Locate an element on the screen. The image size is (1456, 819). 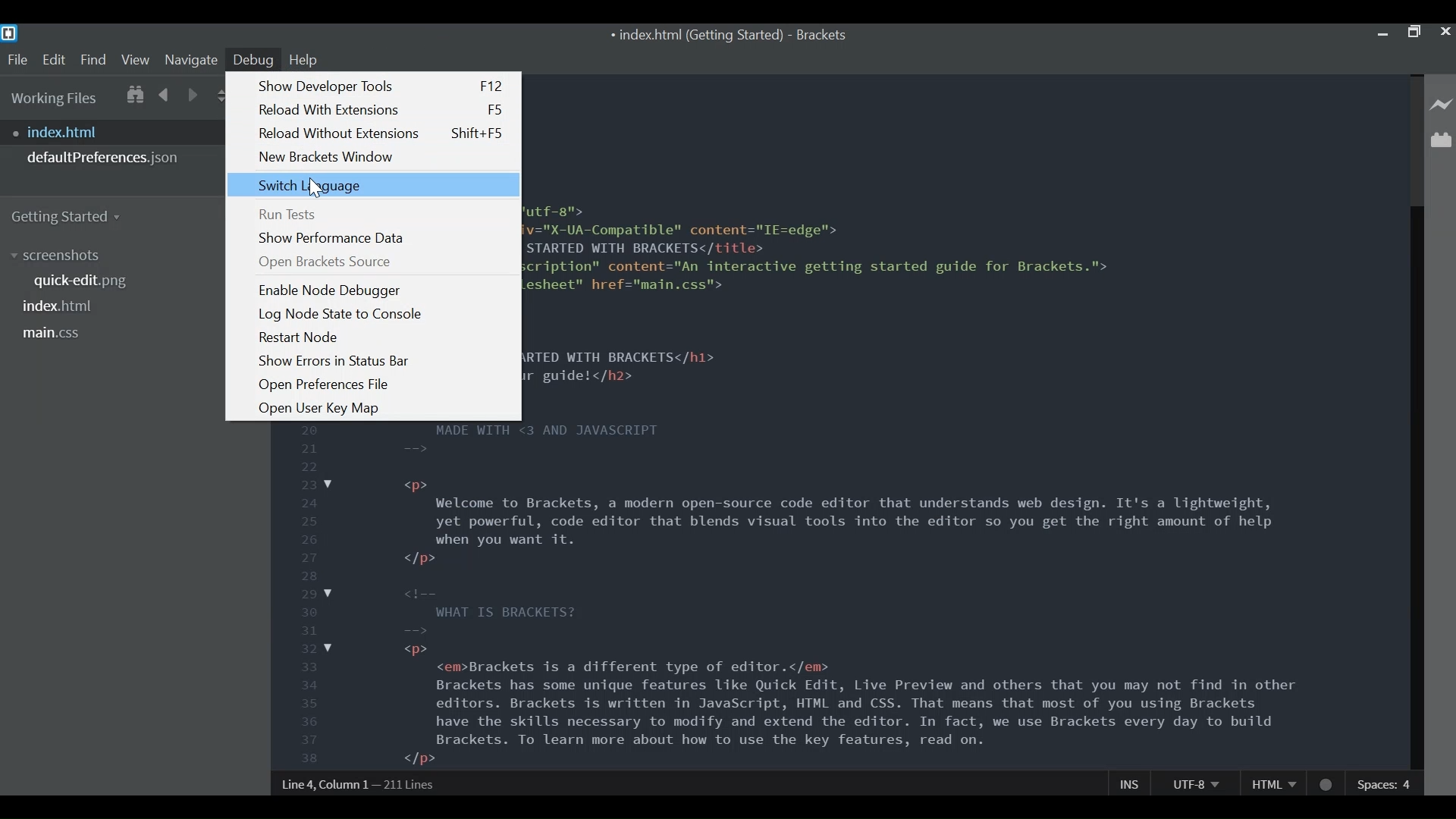
Log Node State to Console is located at coordinates (347, 315).